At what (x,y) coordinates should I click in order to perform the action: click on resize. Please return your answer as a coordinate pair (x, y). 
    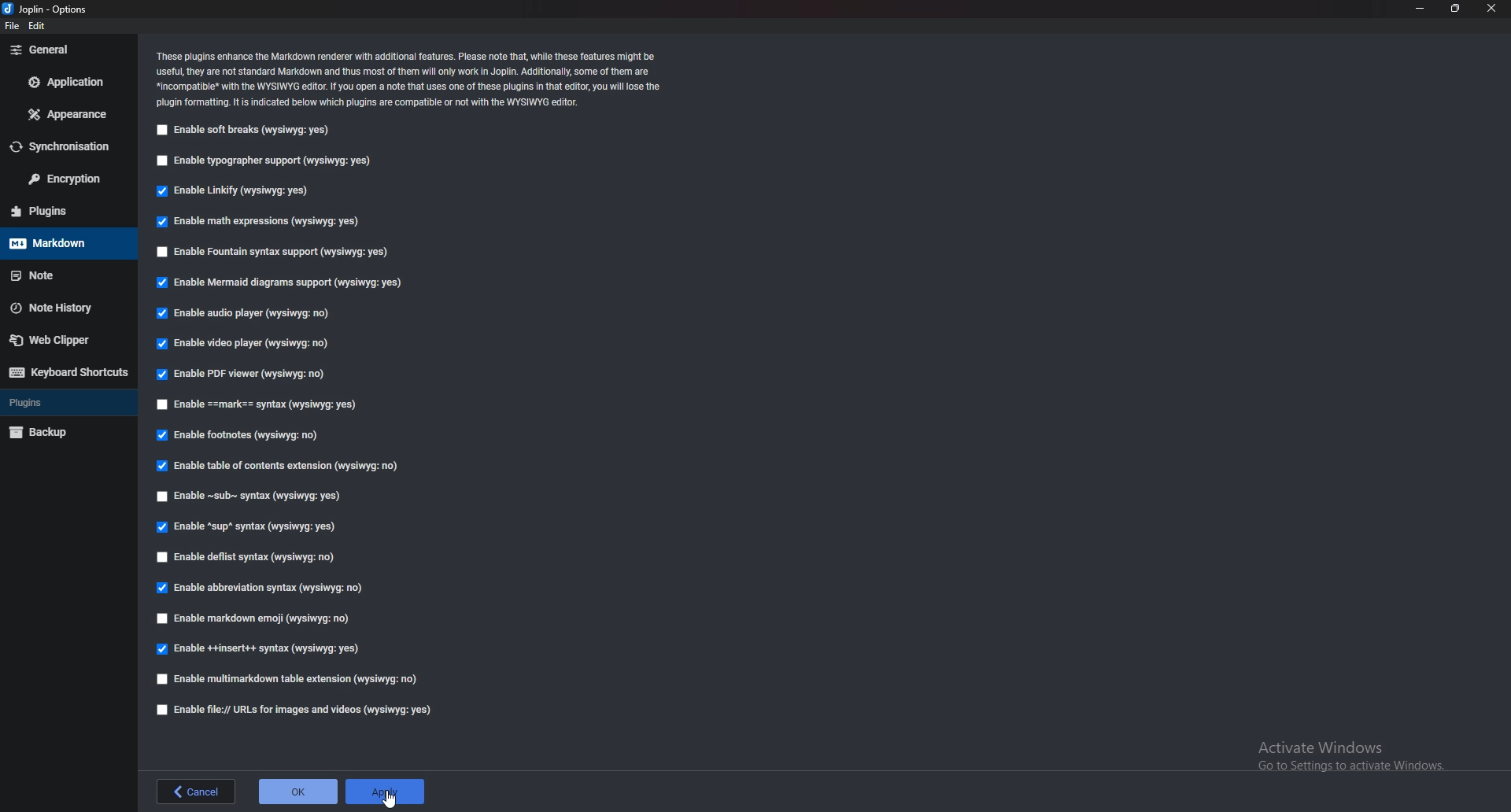
    Looking at the image, I should click on (1454, 8).